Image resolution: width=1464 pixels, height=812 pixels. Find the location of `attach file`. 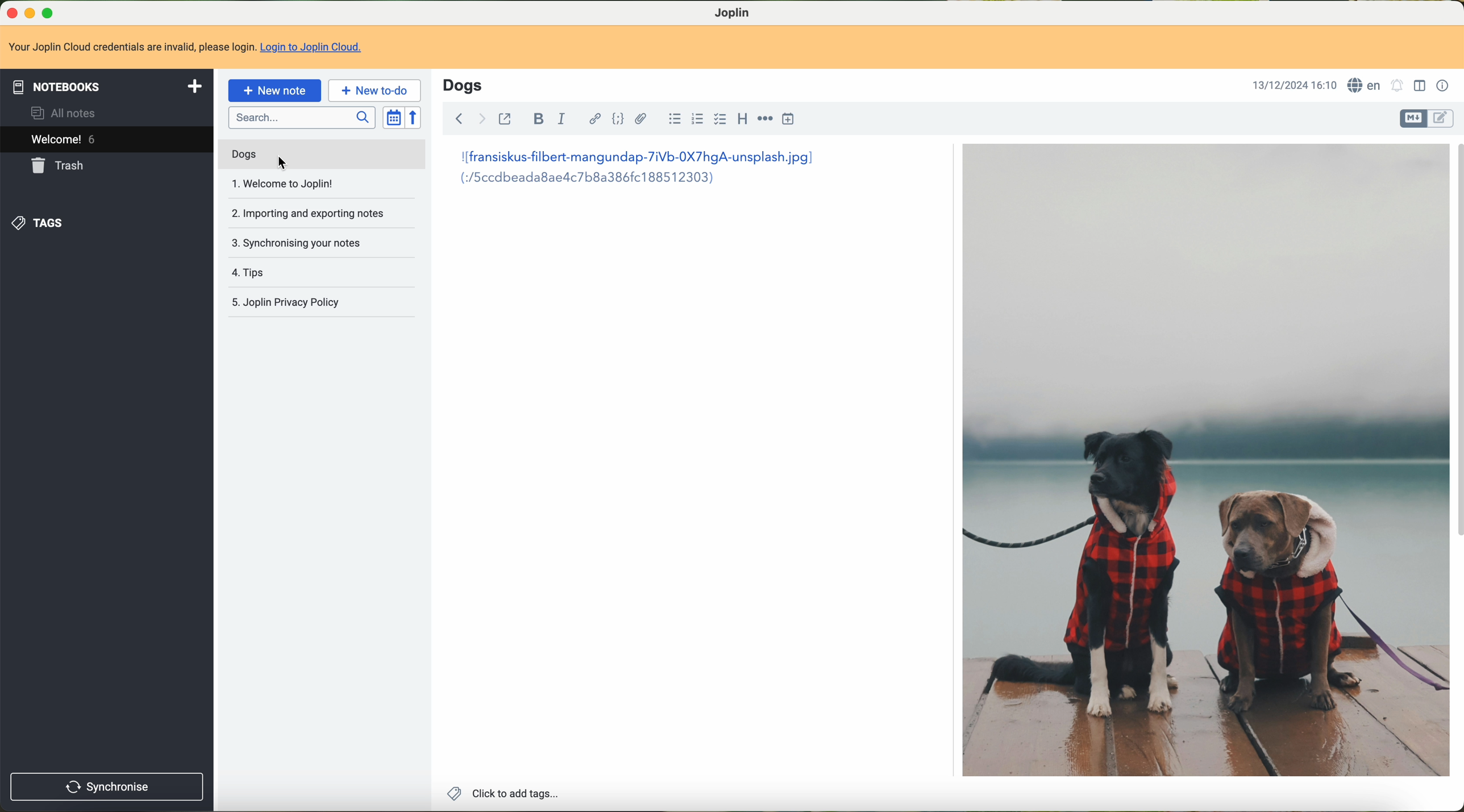

attach file is located at coordinates (640, 119).